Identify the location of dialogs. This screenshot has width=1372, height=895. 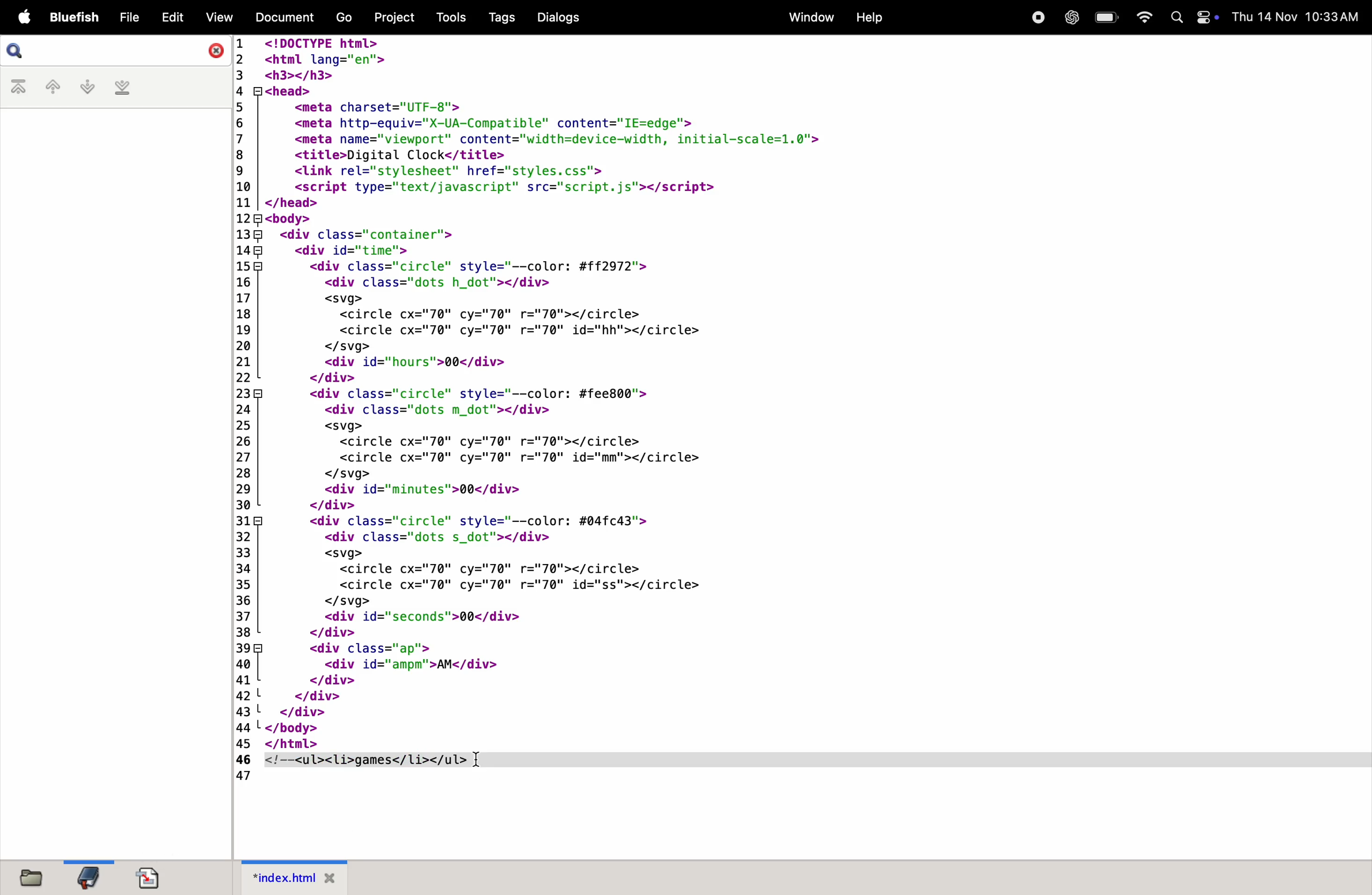
(559, 18).